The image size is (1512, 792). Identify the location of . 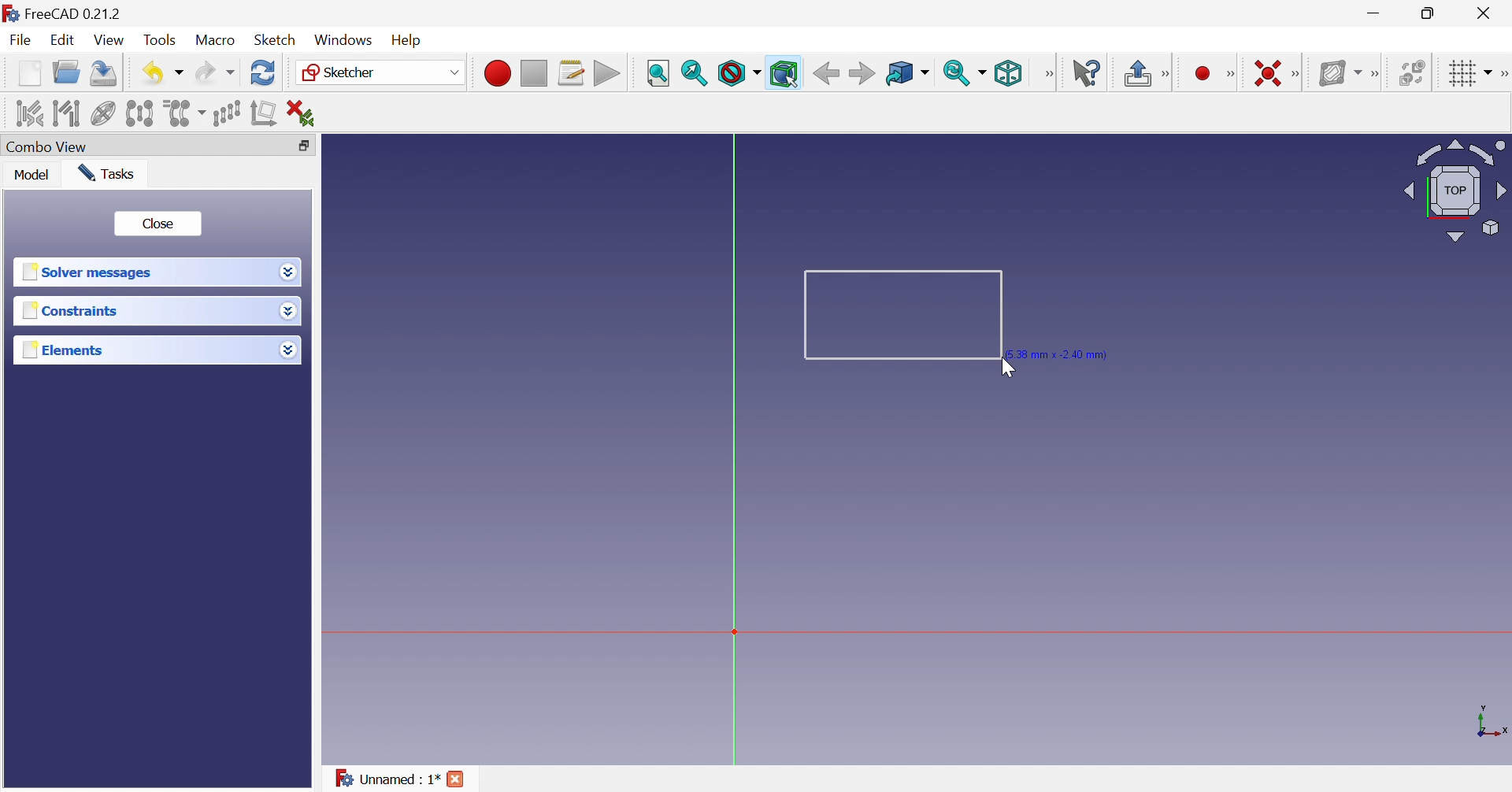
(406, 41).